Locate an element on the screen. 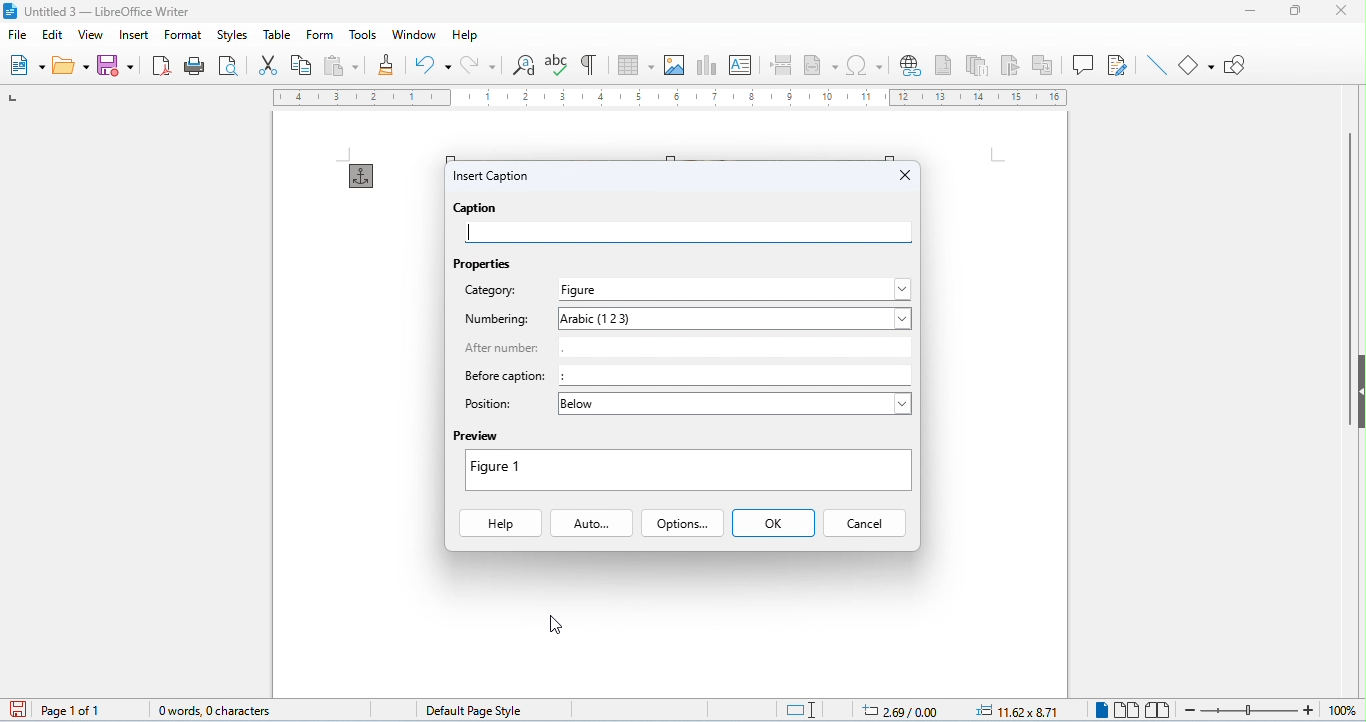 This screenshot has height=722, width=1366. insert special characters is located at coordinates (866, 65).